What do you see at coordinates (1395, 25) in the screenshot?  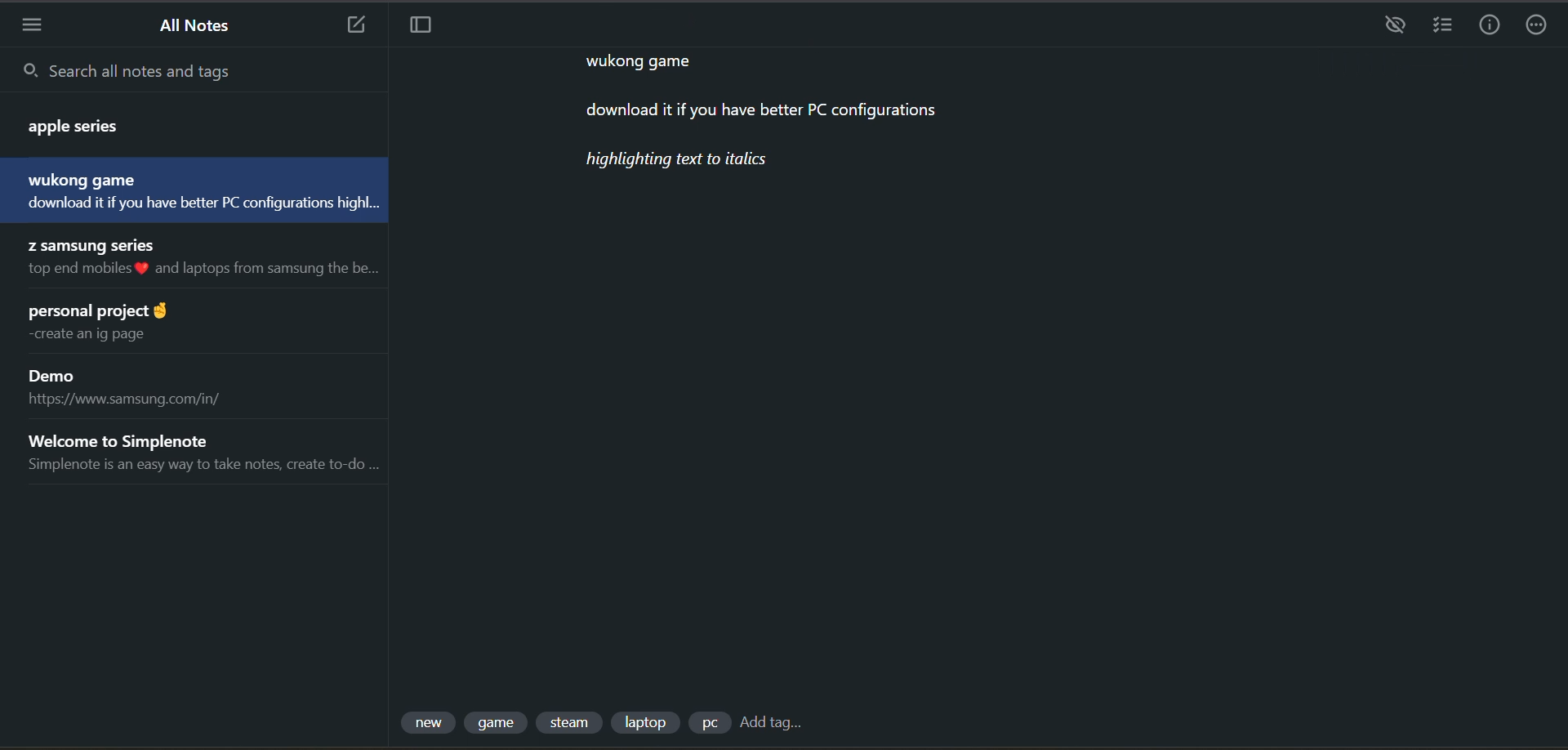 I see `markdown/edit view` at bounding box center [1395, 25].